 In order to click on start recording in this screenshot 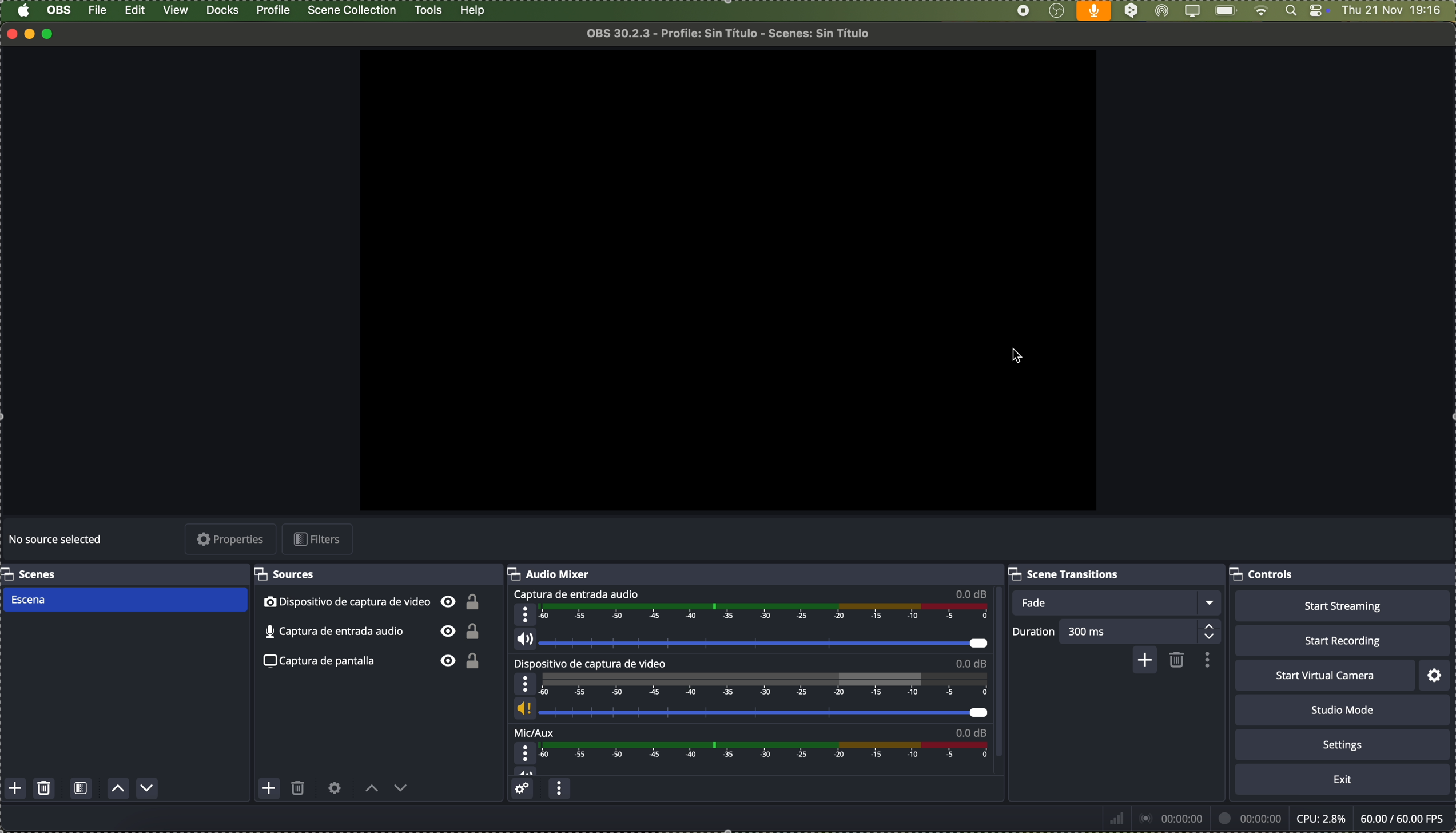, I will do `click(1342, 640)`.